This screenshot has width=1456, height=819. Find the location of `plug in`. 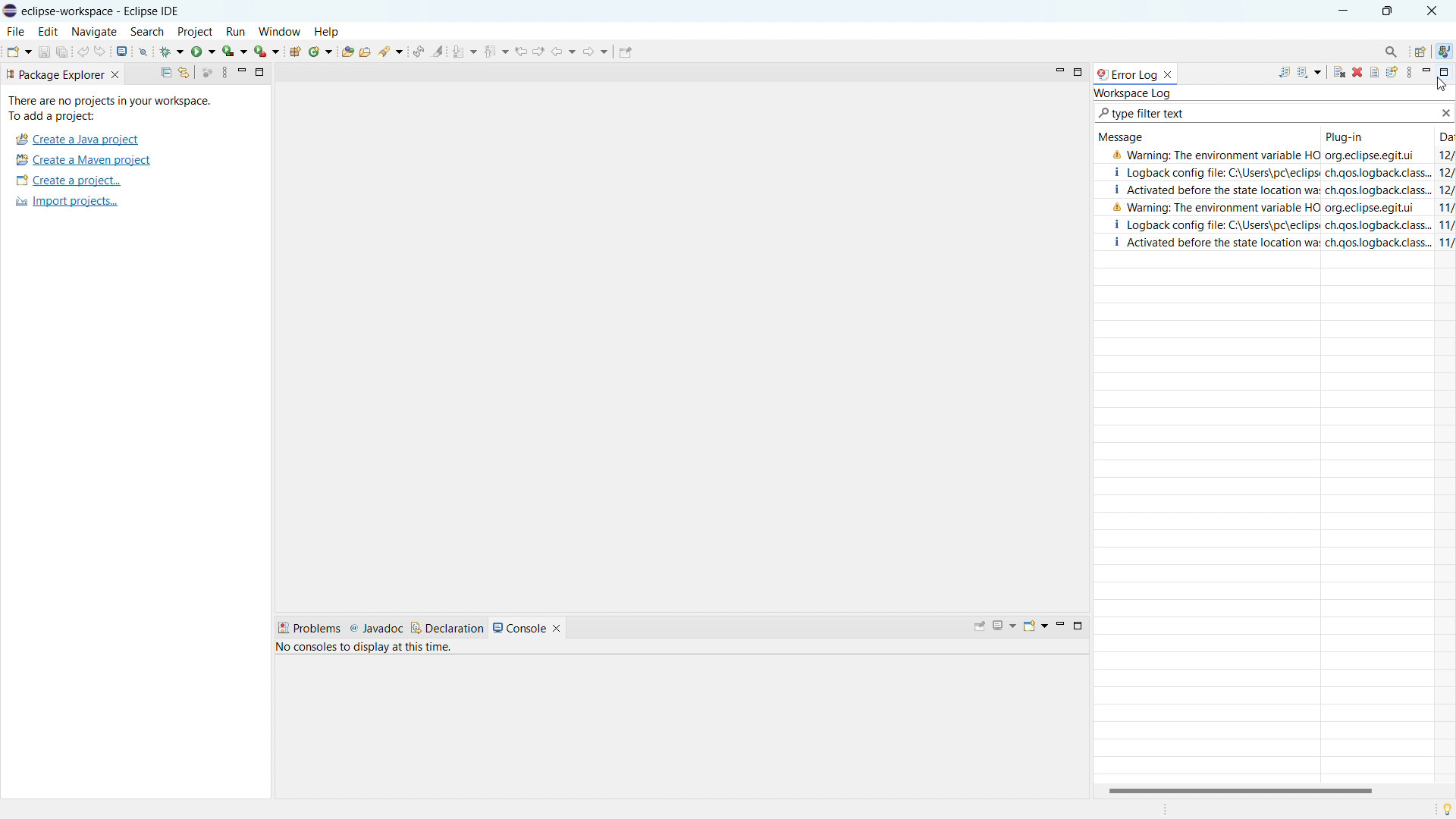

plug in is located at coordinates (1353, 136).